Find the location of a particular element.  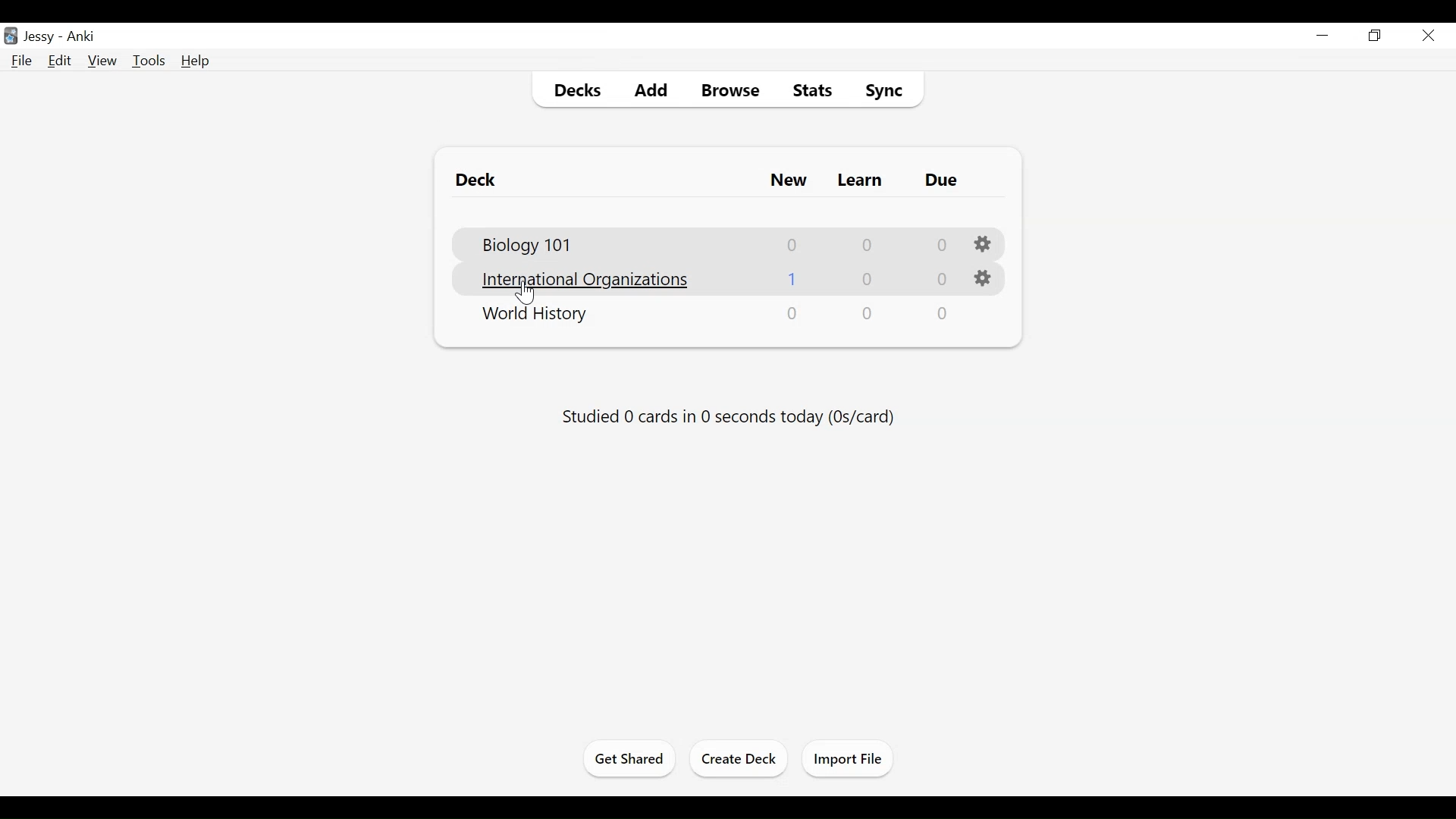

Deck Name is located at coordinates (579, 281).